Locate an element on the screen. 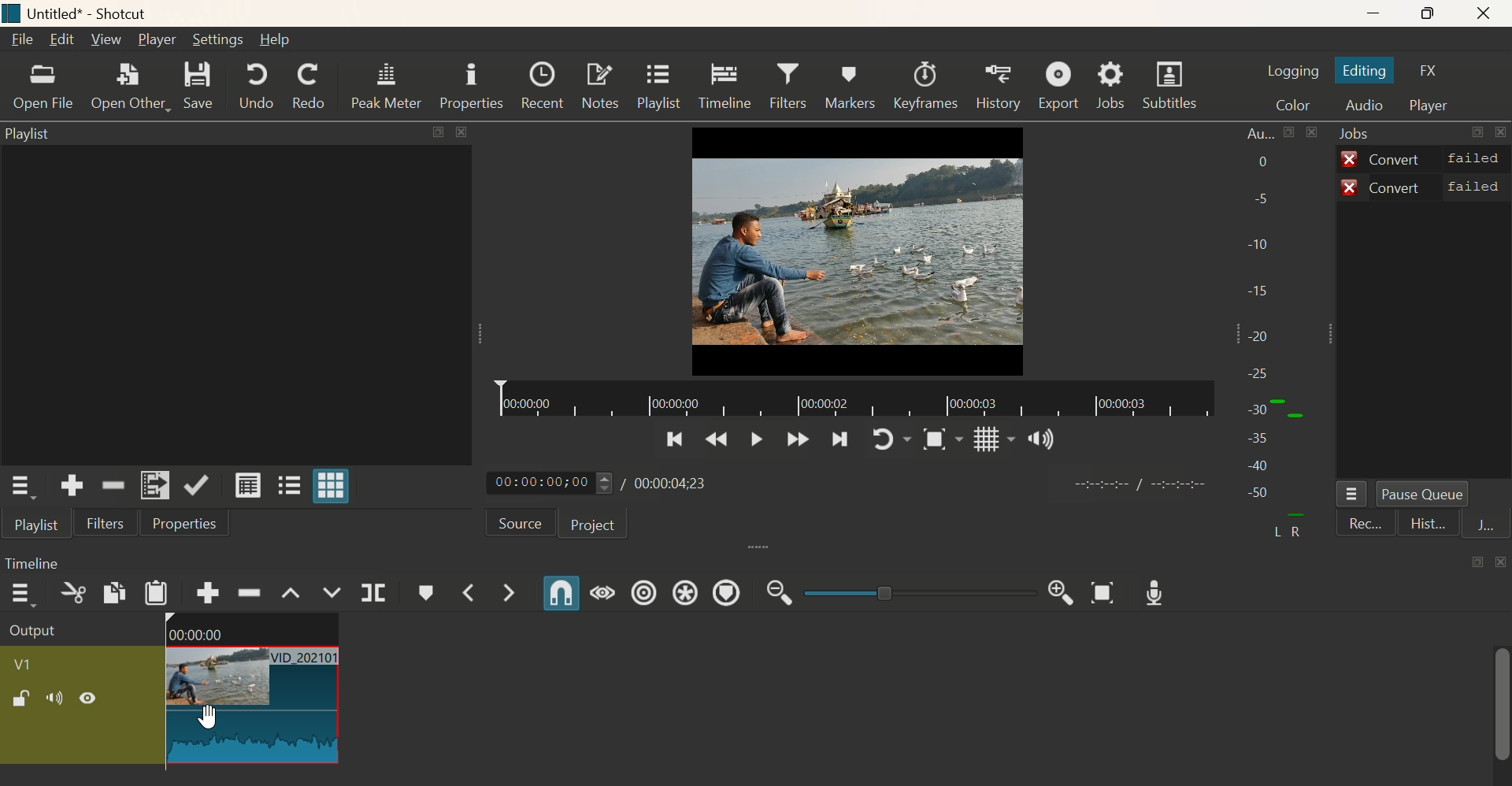 The width and height of the screenshot is (1512, 786). Ripple is located at coordinates (250, 593).